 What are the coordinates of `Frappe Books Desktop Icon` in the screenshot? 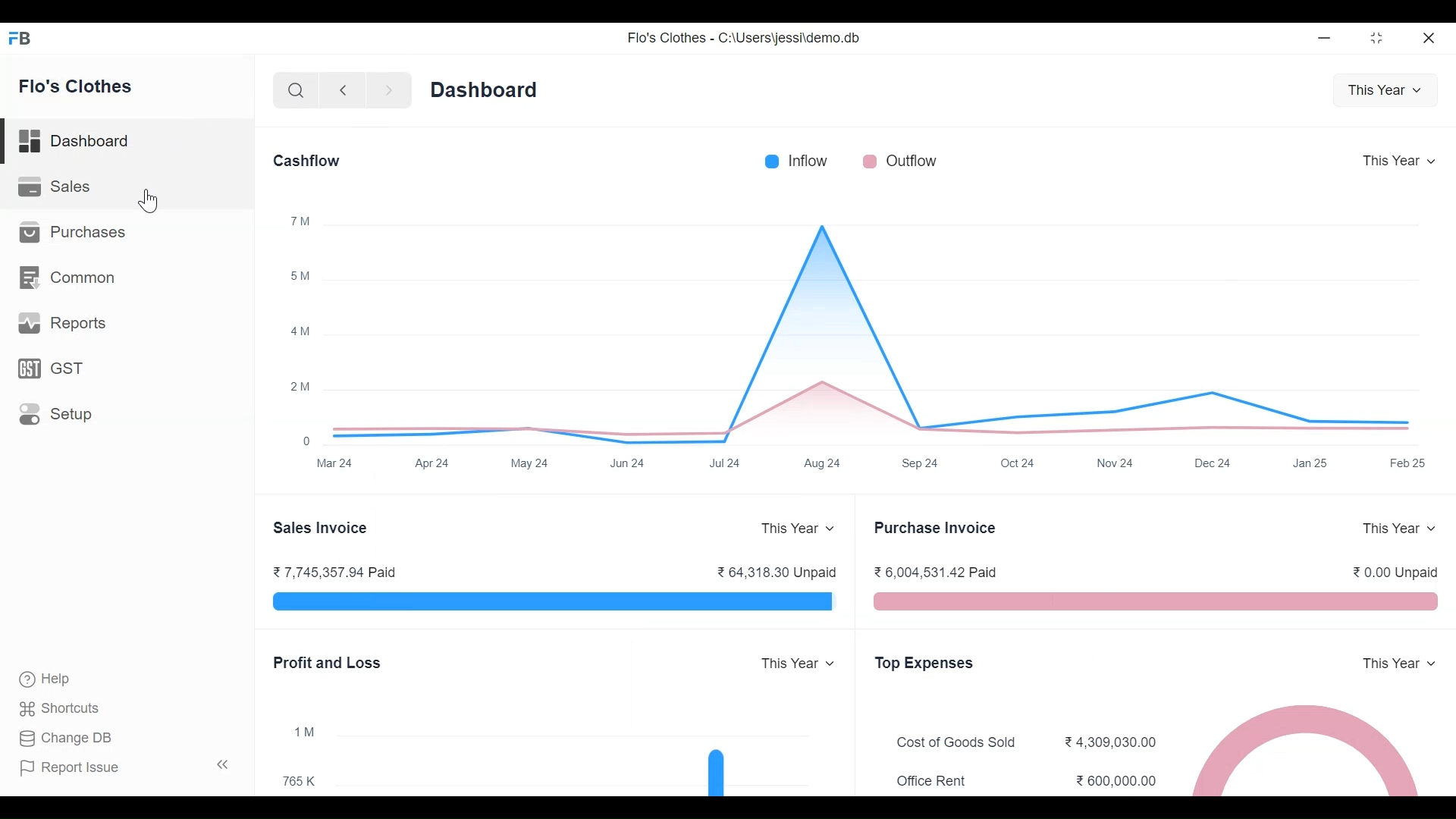 It's located at (18, 39).